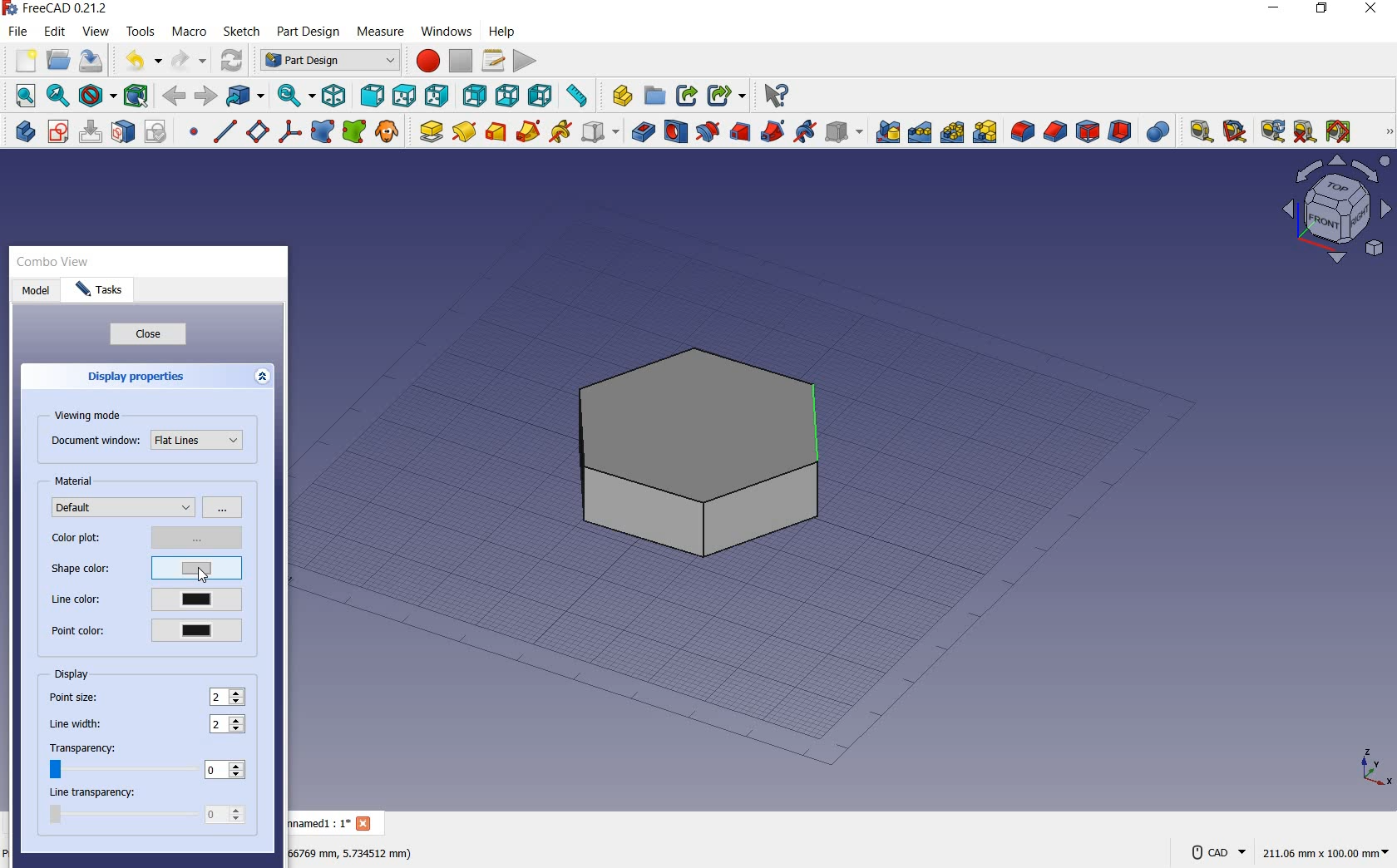  Describe the element at coordinates (195, 536) in the screenshot. I see `options` at that location.